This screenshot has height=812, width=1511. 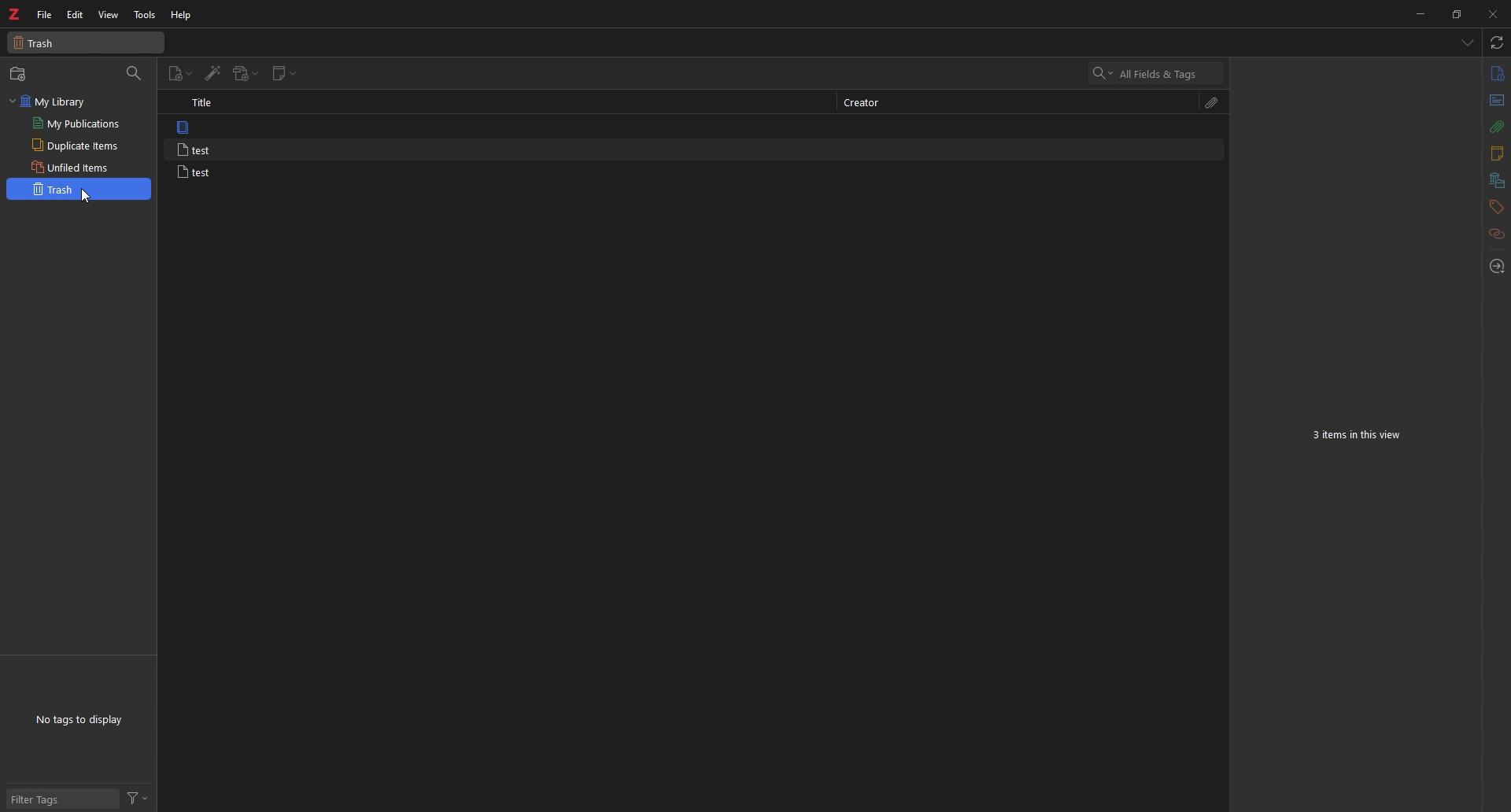 I want to click on trash, so click(x=79, y=190).